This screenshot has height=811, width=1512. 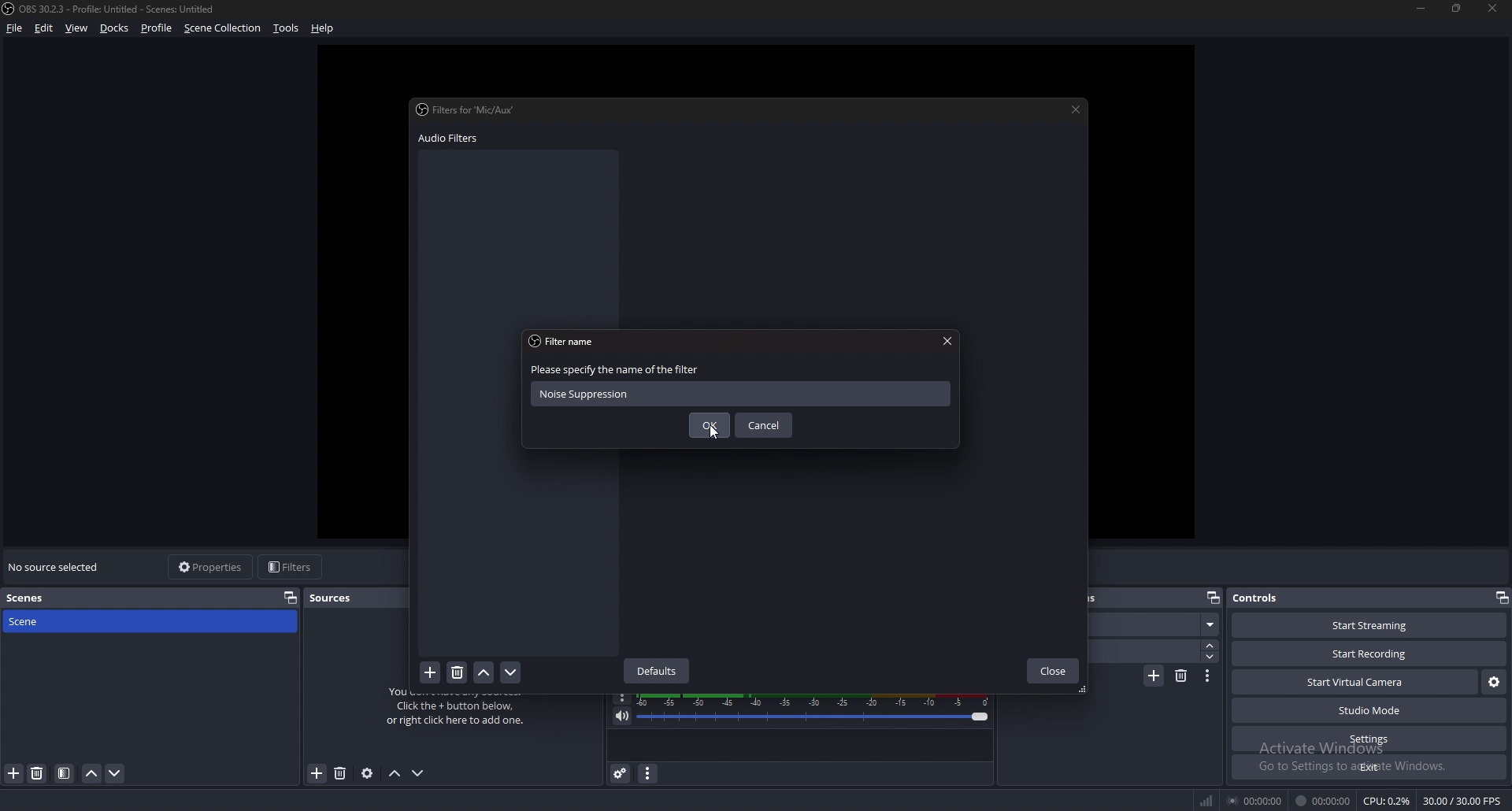 I want to click on cancel, so click(x=764, y=426).